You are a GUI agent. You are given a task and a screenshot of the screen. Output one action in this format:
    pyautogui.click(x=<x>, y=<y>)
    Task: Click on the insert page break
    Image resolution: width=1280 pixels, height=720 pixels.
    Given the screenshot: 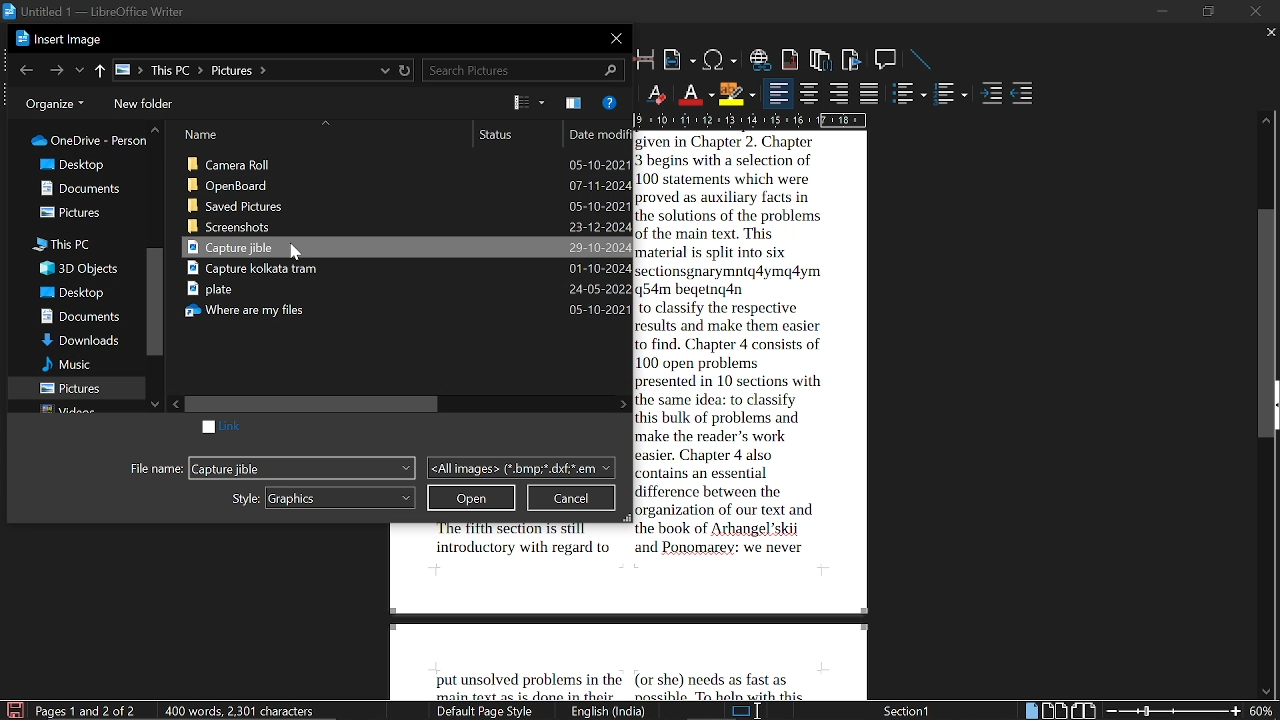 What is the action you would take?
    pyautogui.click(x=644, y=59)
    